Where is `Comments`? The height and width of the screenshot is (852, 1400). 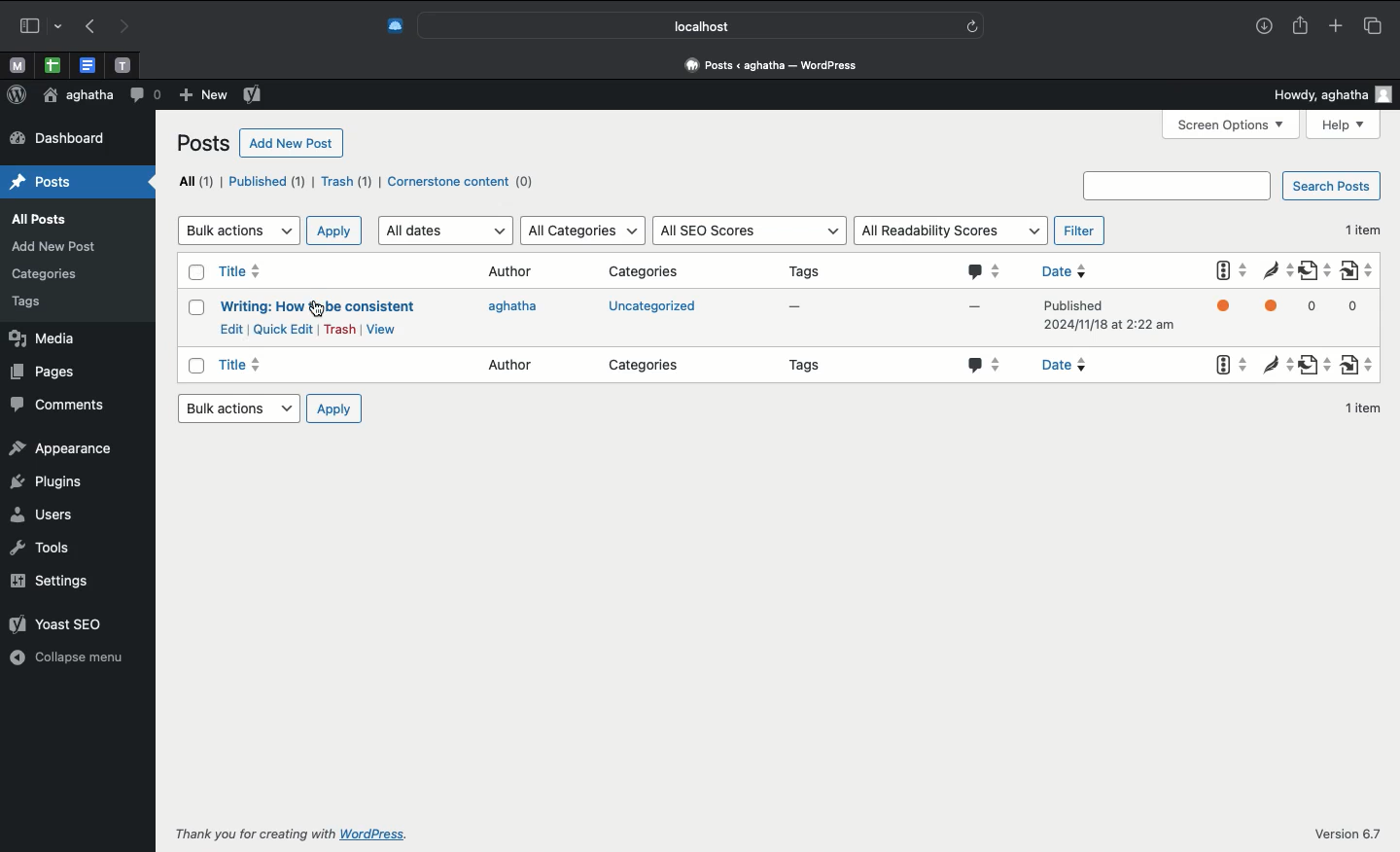
Comments is located at coordinates (60, 404).